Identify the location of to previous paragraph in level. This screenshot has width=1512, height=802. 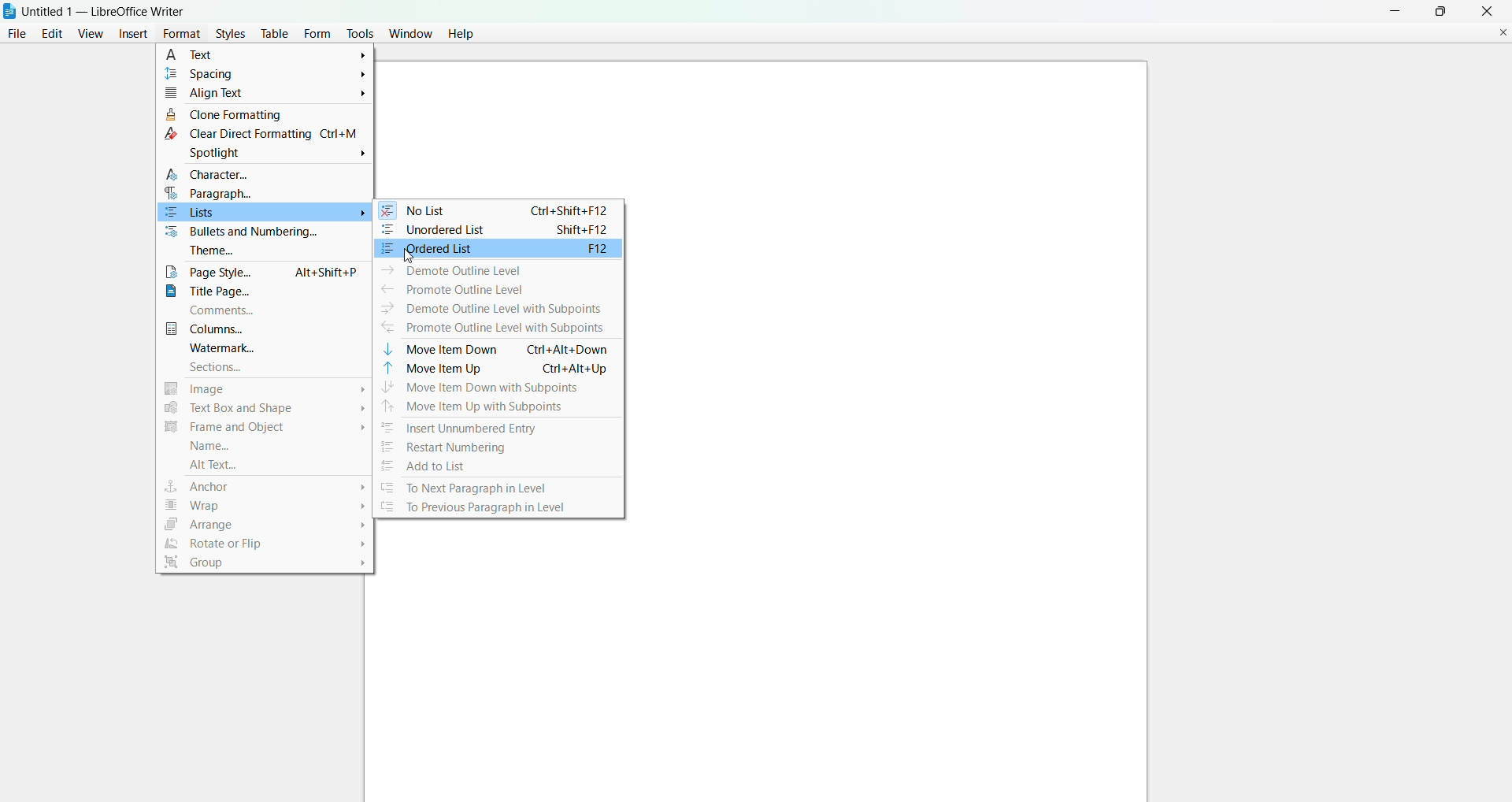
(476, 507).